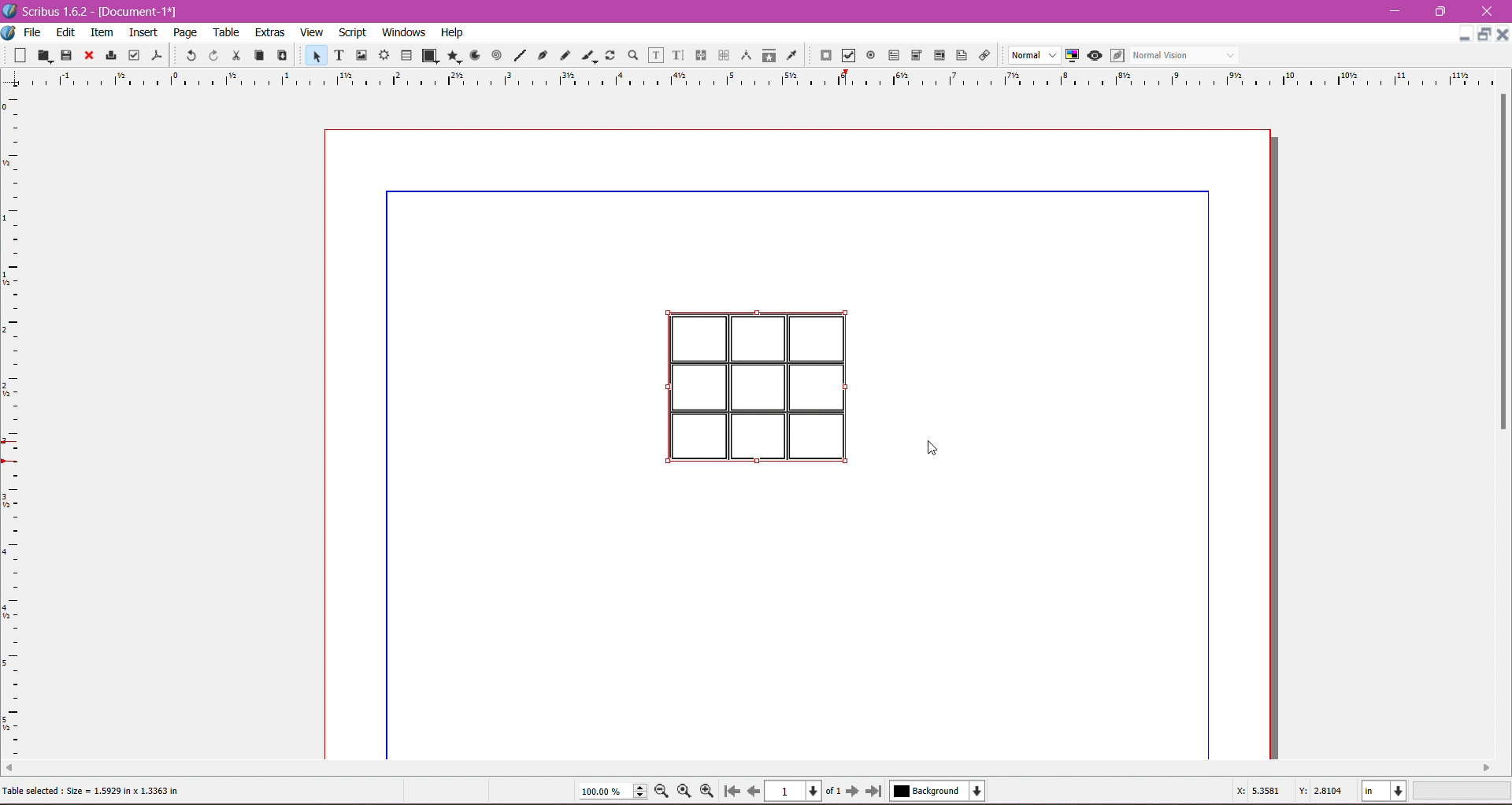  I want to click on PDF Push button, so click(824, 56).